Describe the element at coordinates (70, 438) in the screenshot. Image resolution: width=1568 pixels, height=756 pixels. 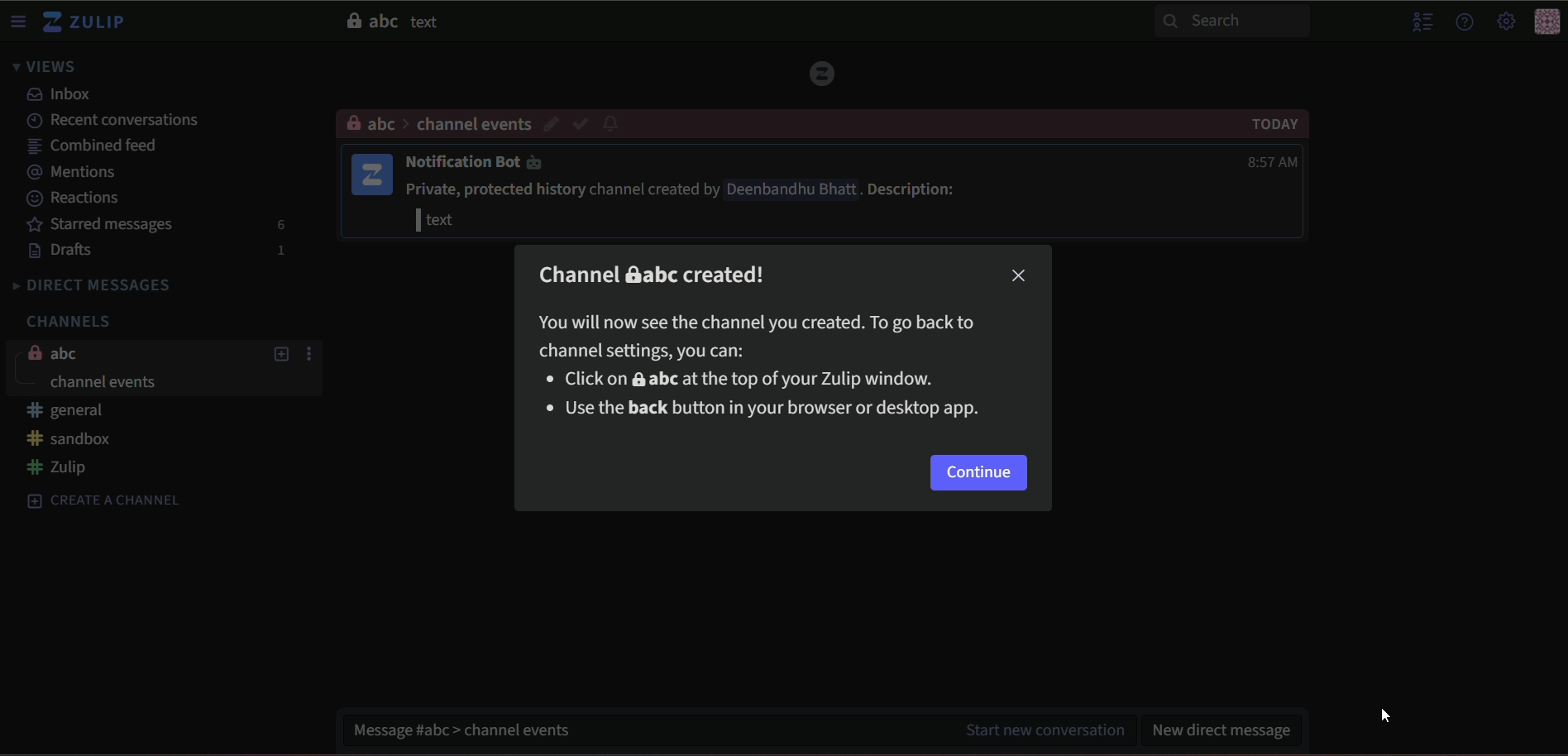
I see `#sandbox` at that location.